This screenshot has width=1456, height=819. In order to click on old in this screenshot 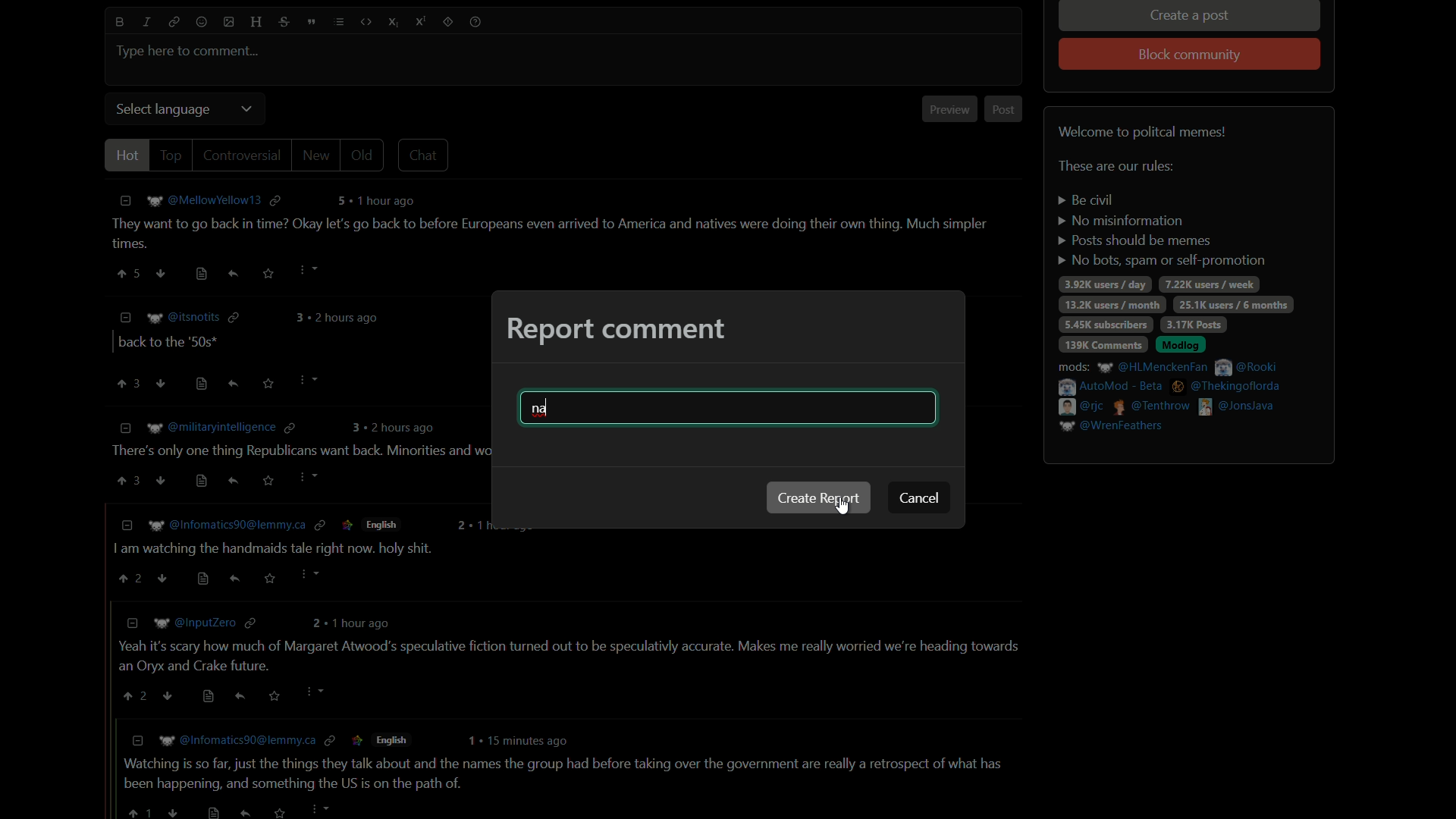, I will do `click(366, 157)`.